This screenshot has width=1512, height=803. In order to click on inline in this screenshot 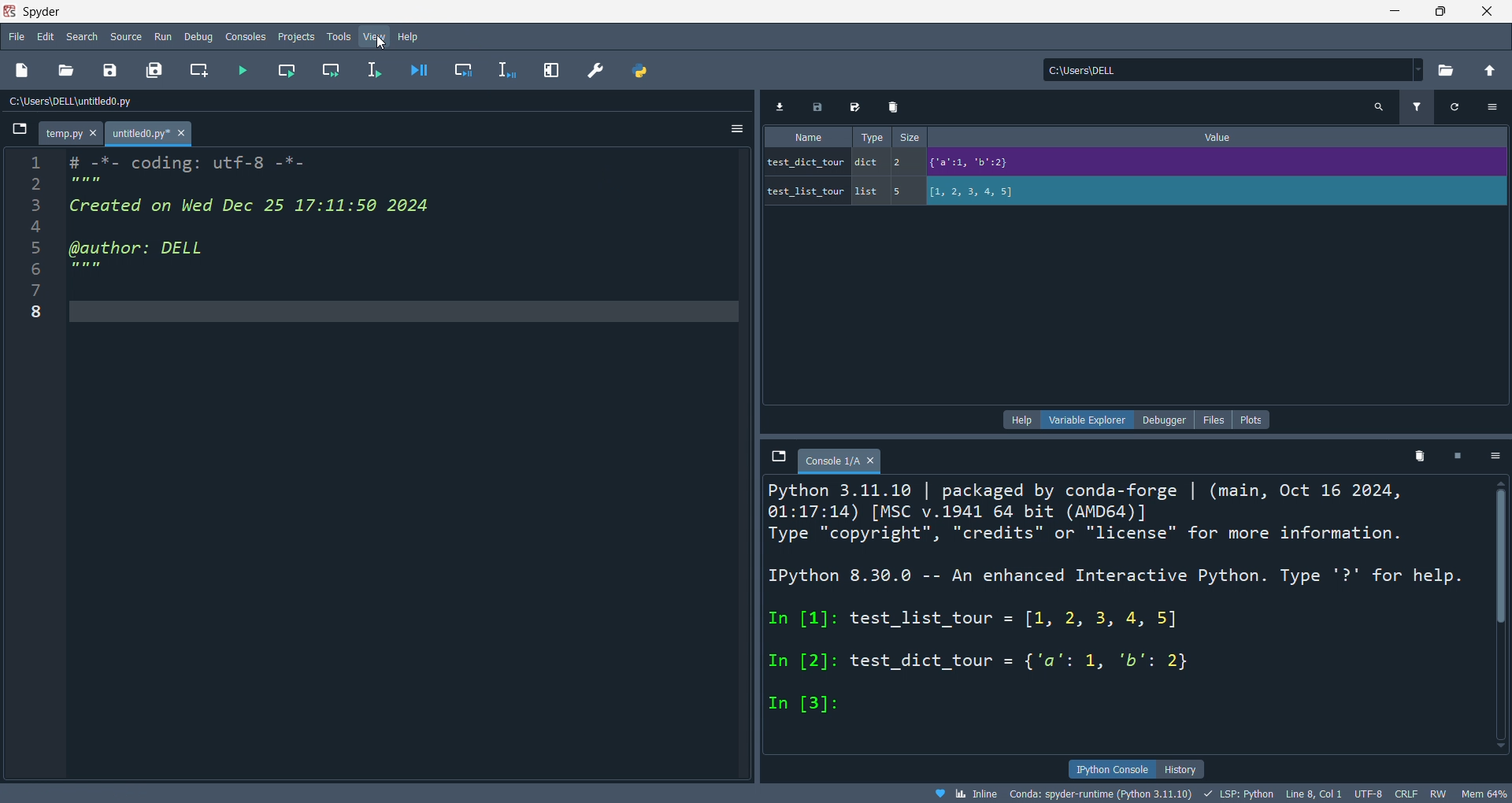, I will do `click(965, 794)`.